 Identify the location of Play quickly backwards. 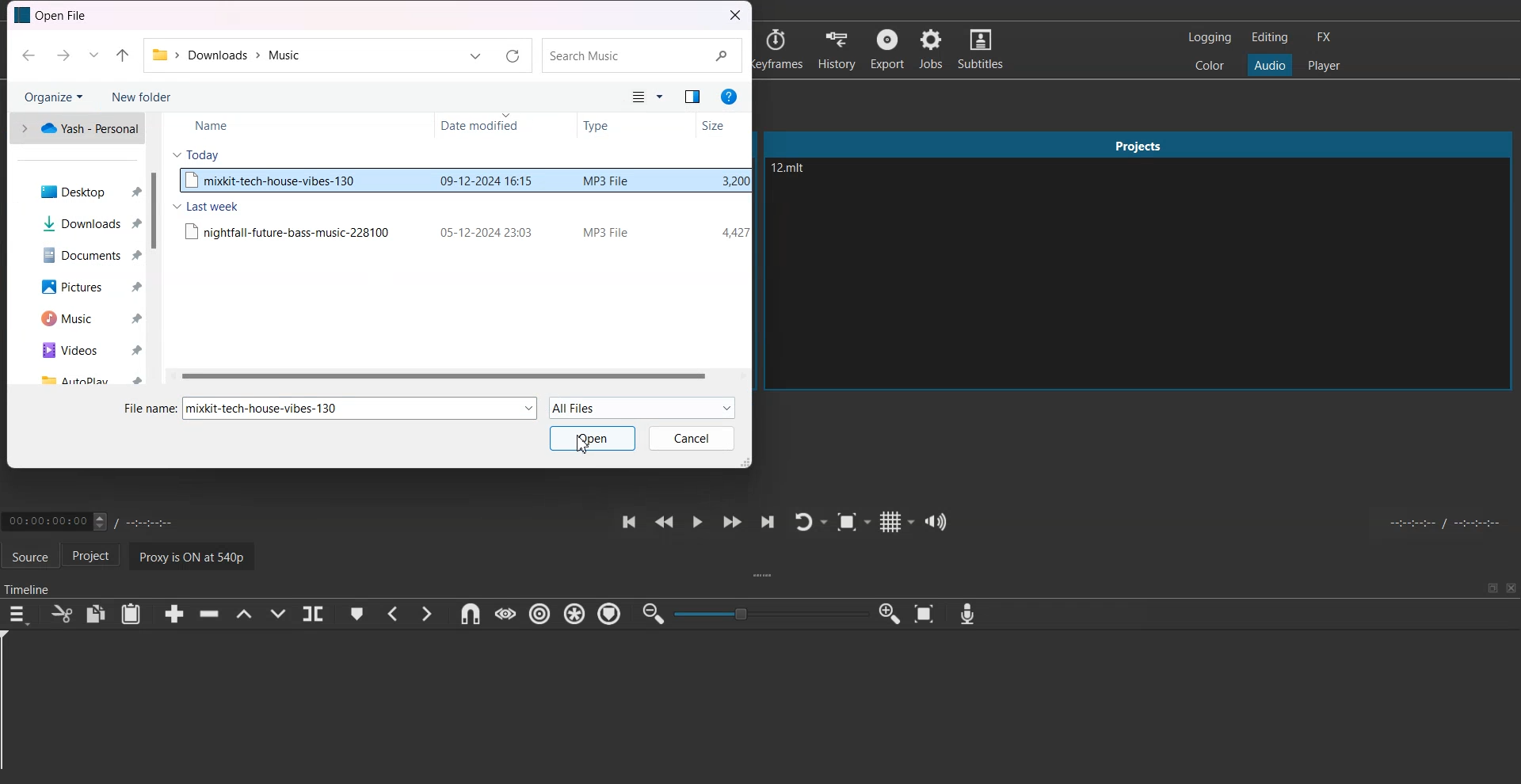
(663, 521).